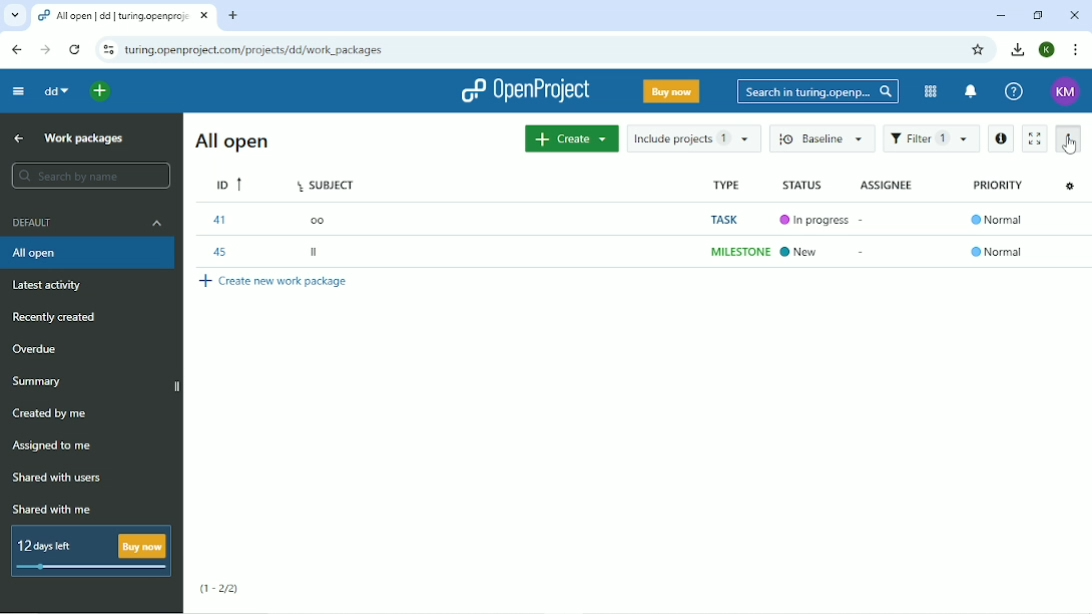 This screenshot has height=614, width=1092. What do you see at coordinates (721, 219) in the screenshot?
I see `Task` at bounding box center [721, 219].